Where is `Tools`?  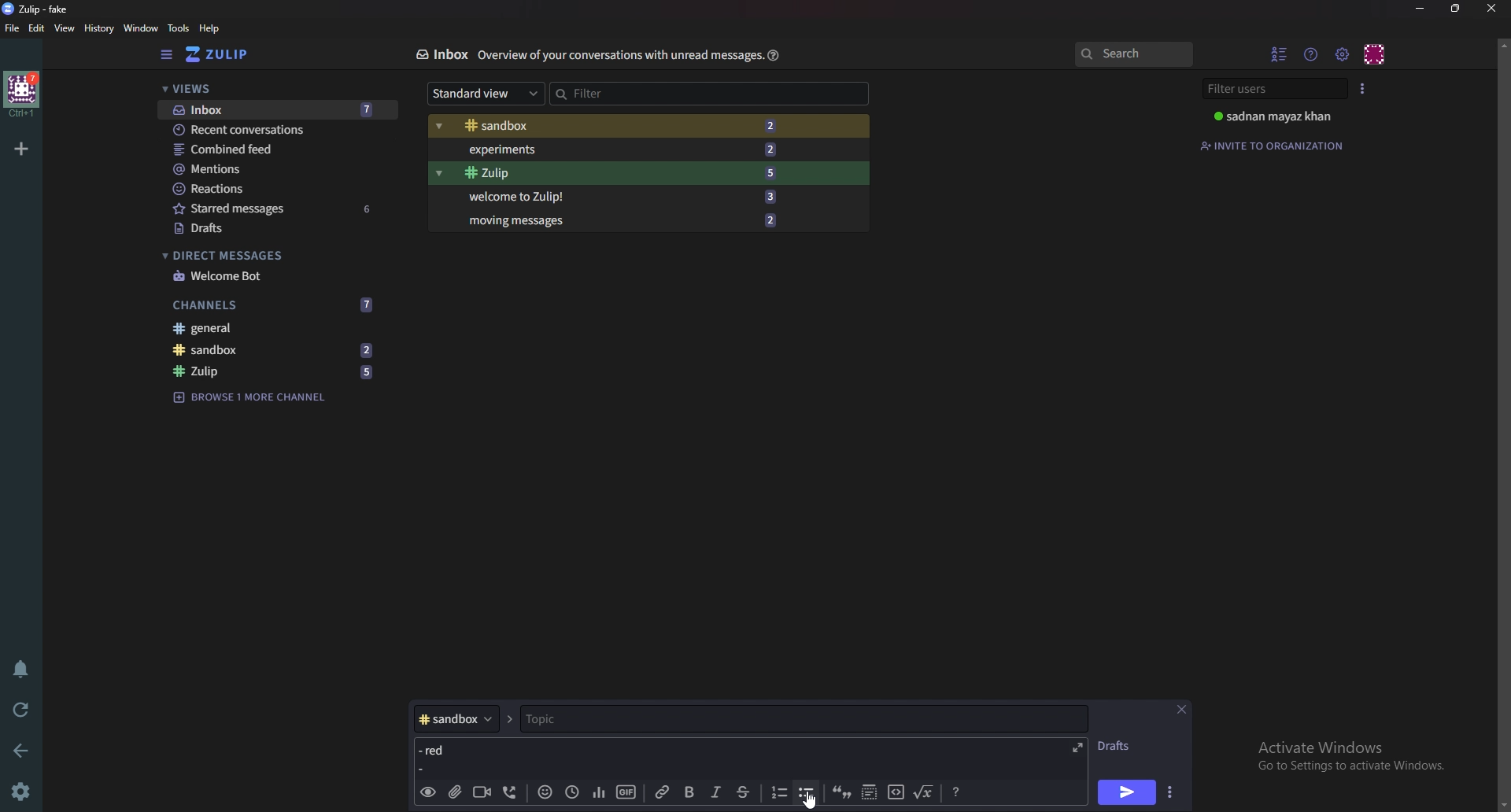 Tools is located at coordinates (179, 28).